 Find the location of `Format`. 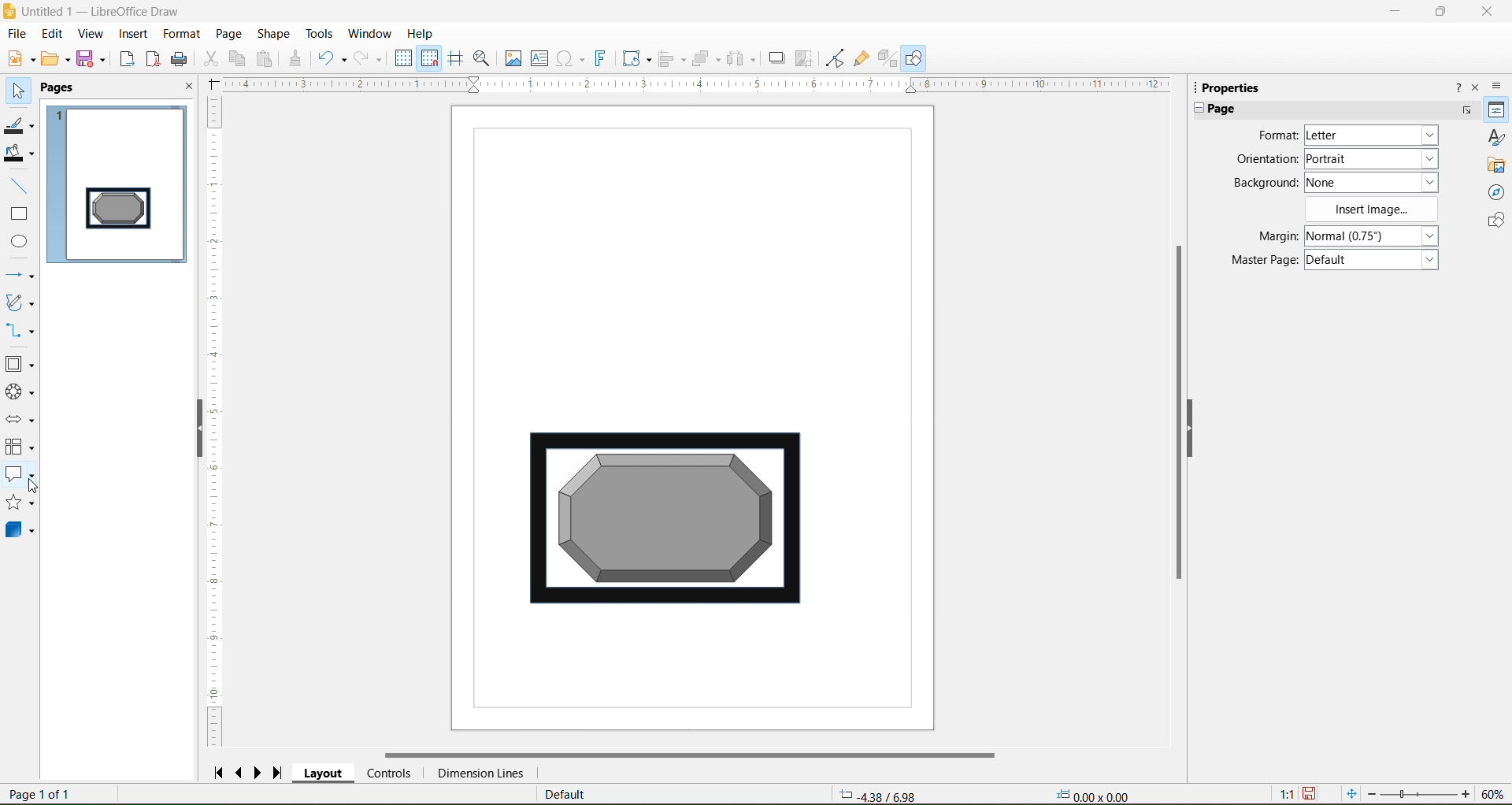

Format is located at coordinates (1275, 135).